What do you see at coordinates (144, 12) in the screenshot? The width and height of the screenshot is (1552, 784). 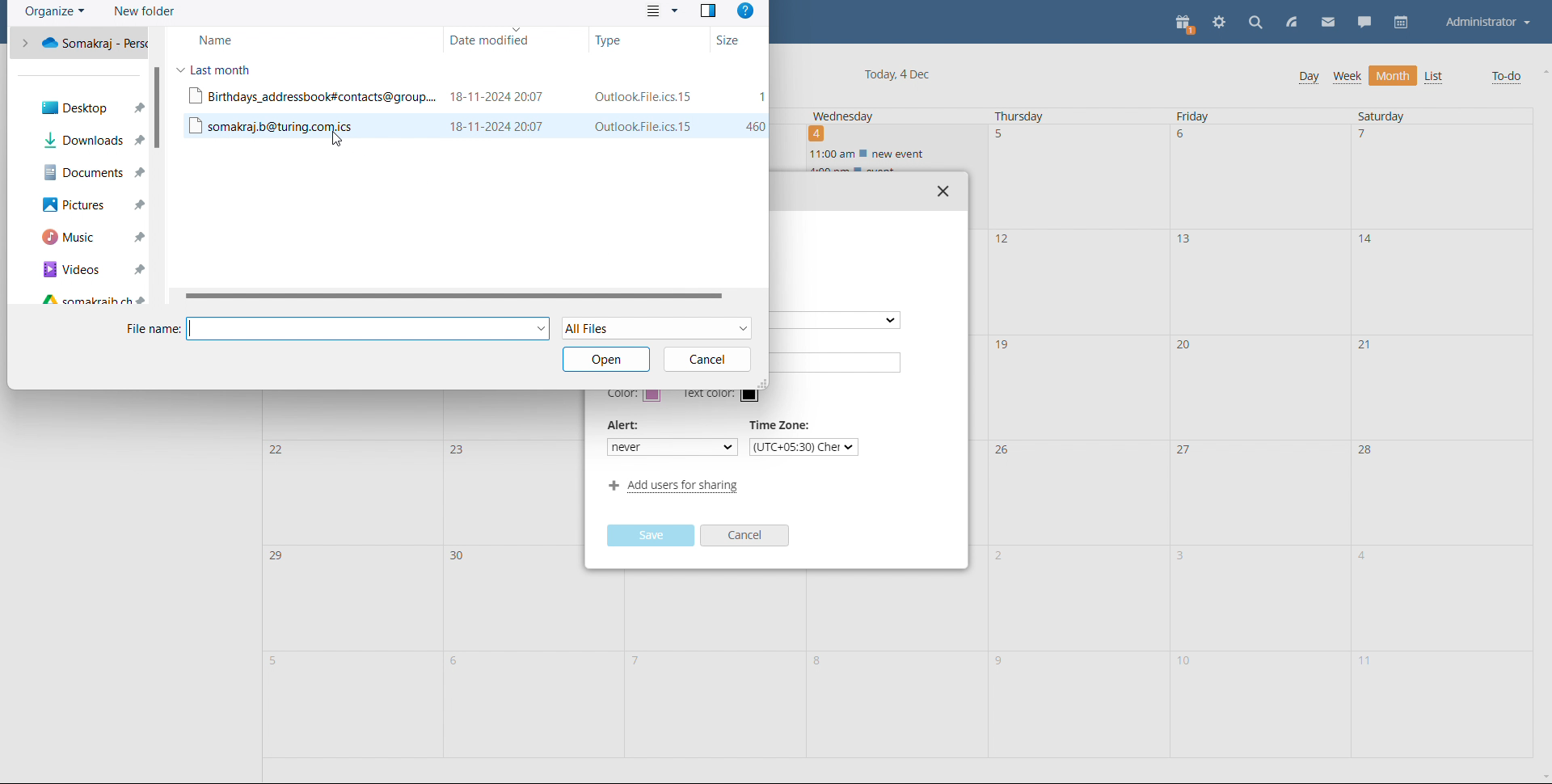 I see `new folder` at bounding box center [144, 12].